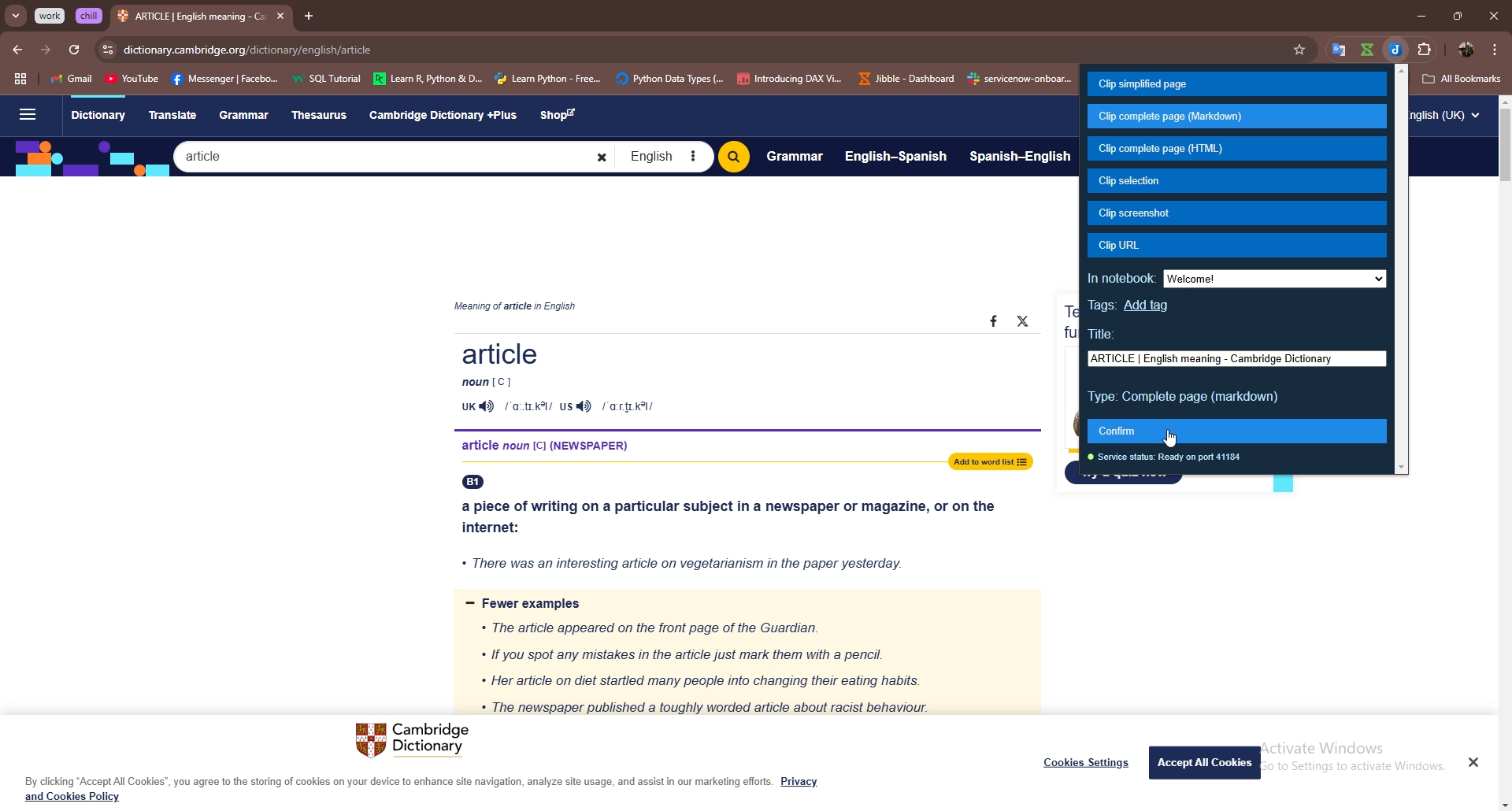 This screenshot has width=1512, height=811. What do you see at coordinates (1021, 158) in the screenshot?
I see `Spanish-English` at bounding box center [1021, 158].